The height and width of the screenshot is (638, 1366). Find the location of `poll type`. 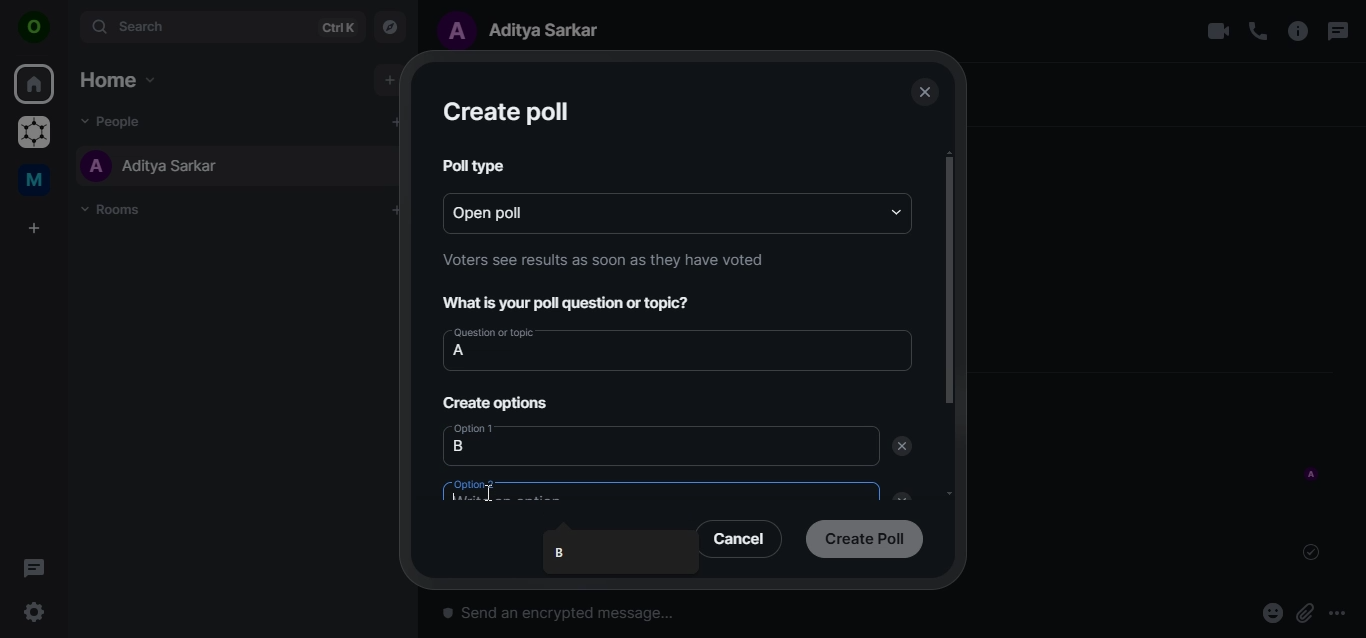

poll type is located at coordinates (470, 164).